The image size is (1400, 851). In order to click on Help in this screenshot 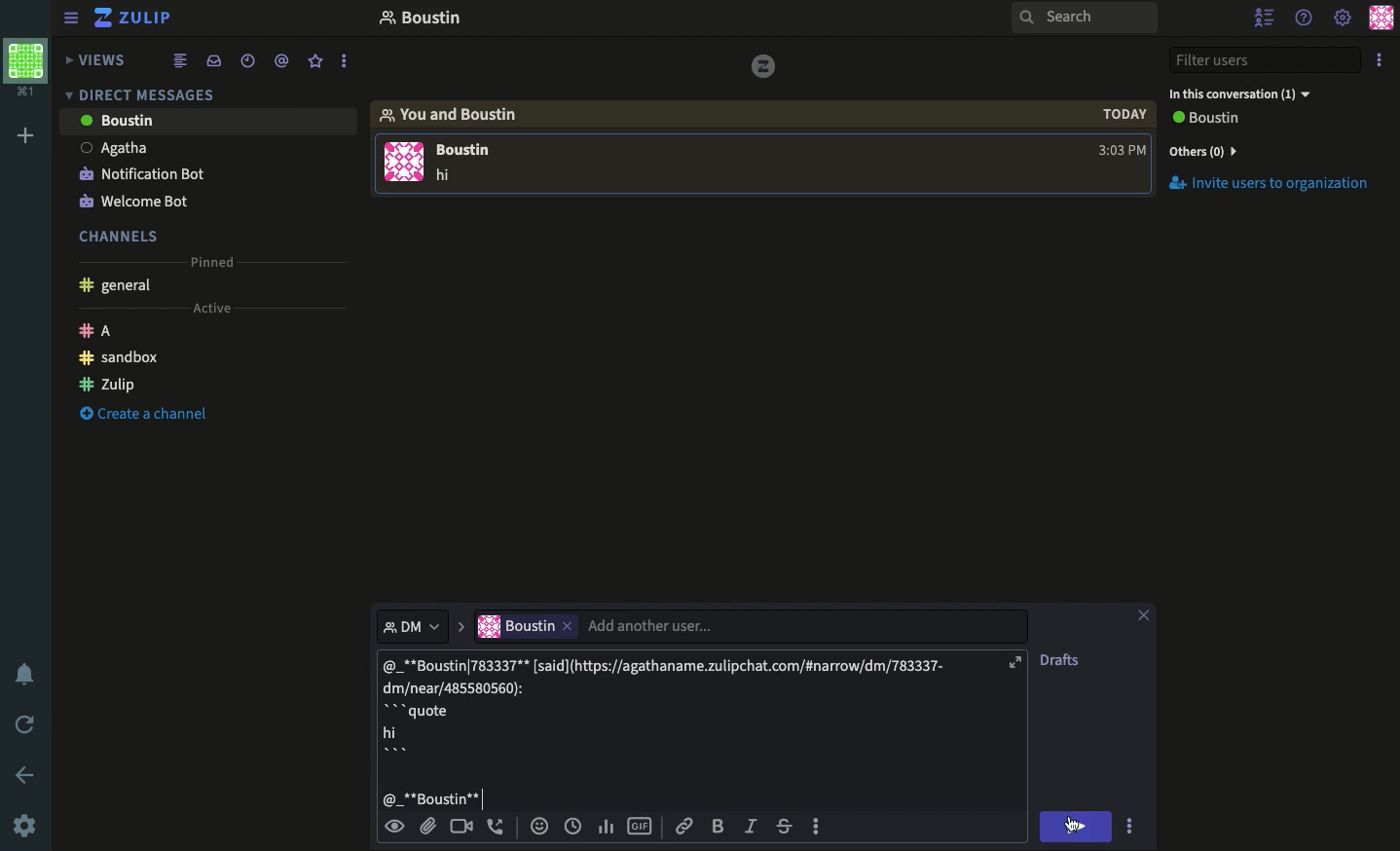, I will do `click(1305, 17)`.